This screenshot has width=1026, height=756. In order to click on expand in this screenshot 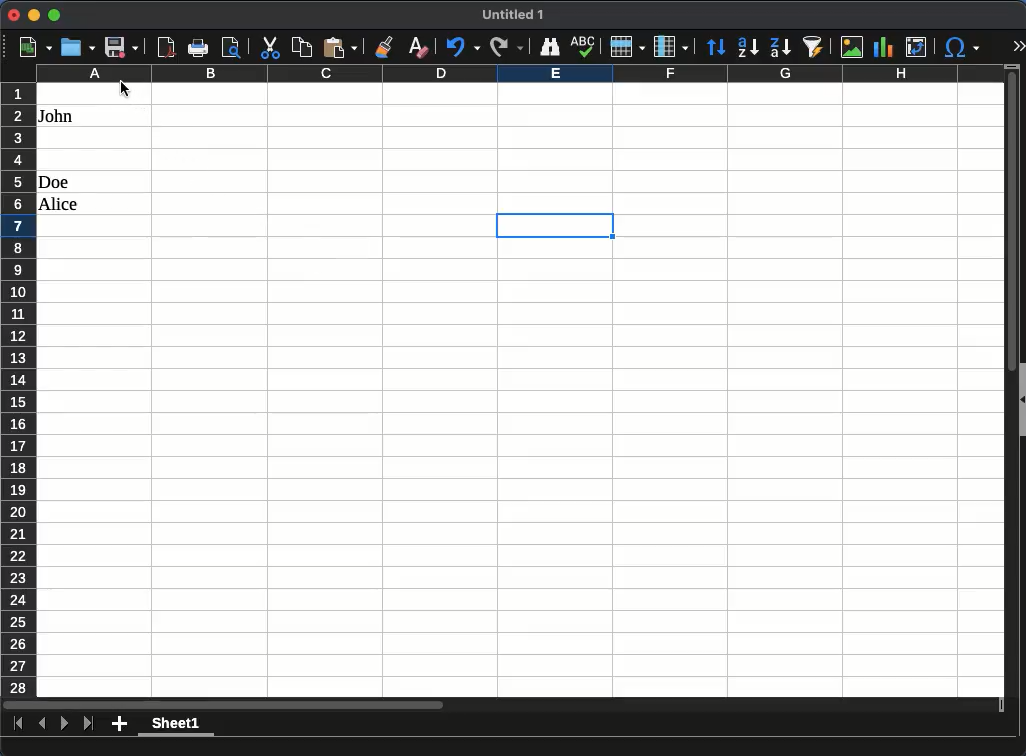, I will do `click(1017, 45)`.